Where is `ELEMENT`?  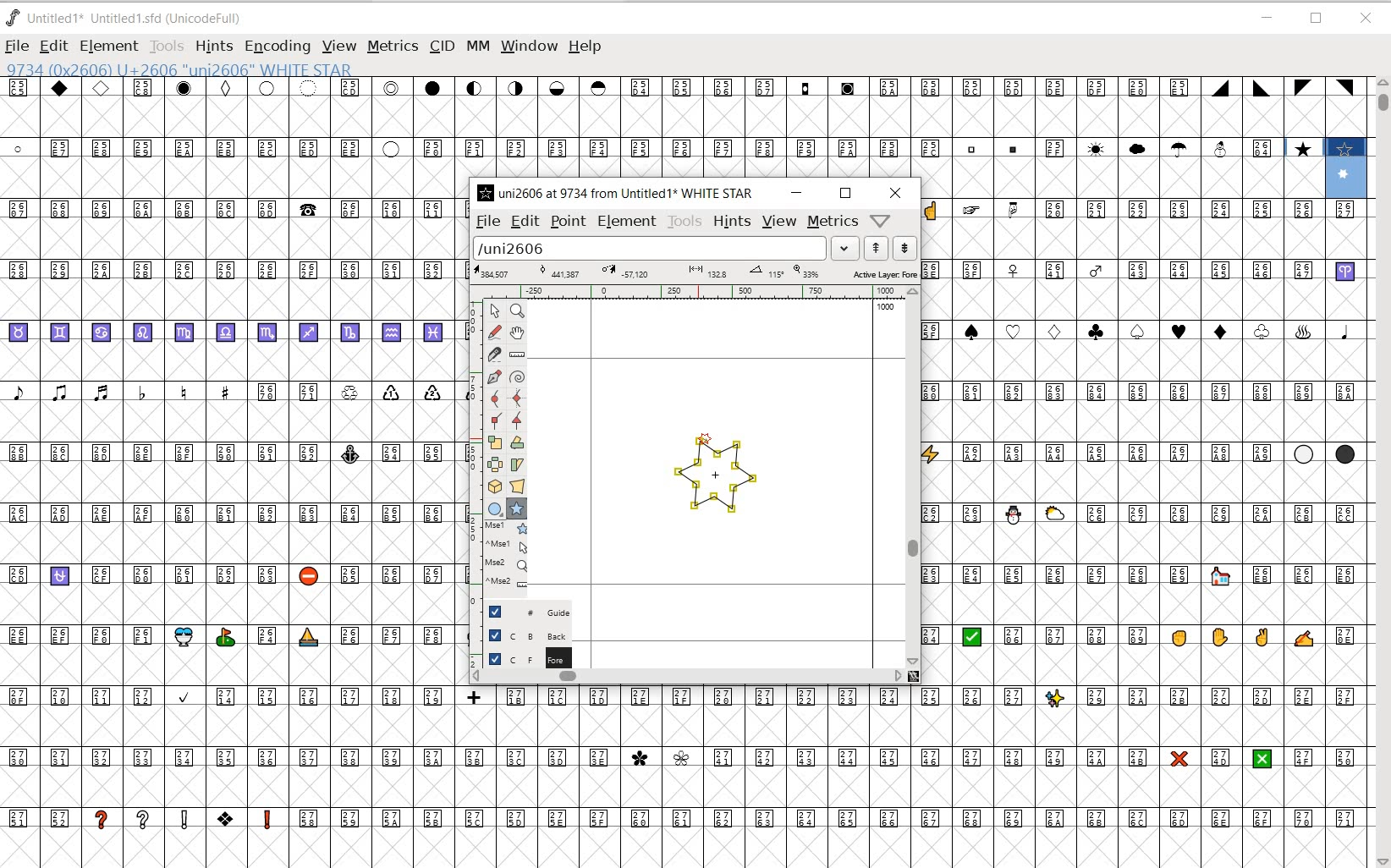
ELEMENT is located at coordinates (109, 46).